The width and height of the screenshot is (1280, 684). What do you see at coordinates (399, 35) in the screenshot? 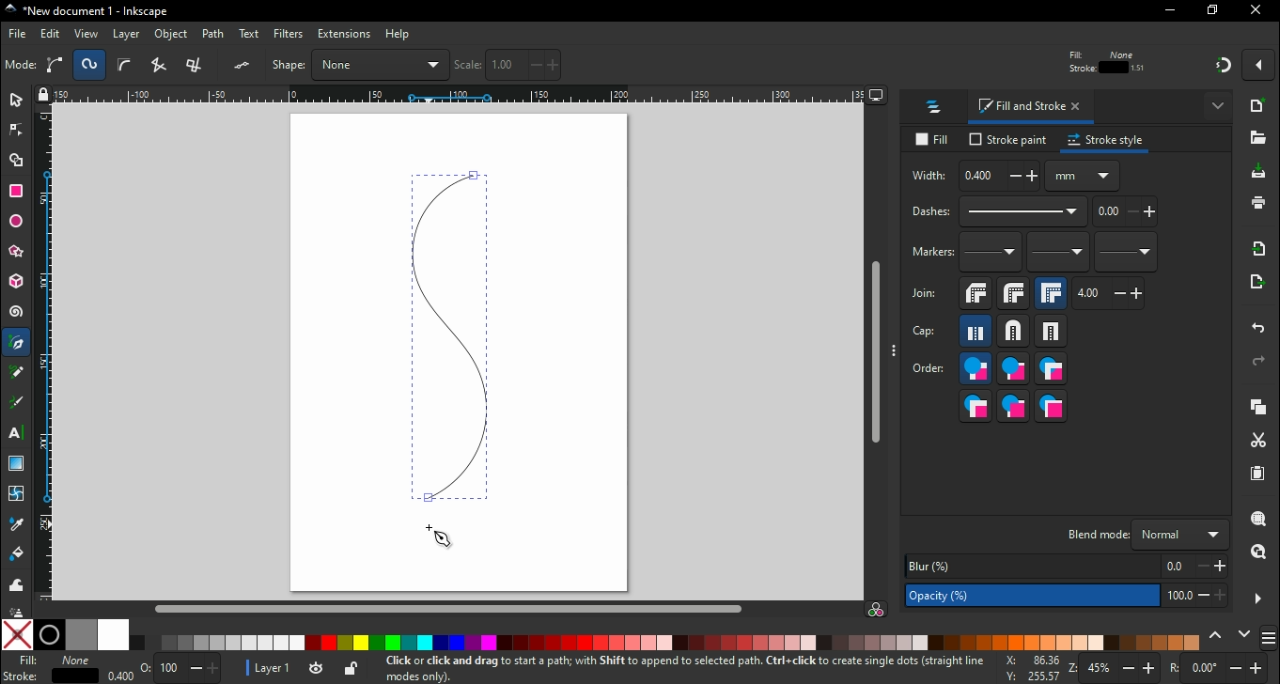
I see `help` at bounding box center [399, 35].